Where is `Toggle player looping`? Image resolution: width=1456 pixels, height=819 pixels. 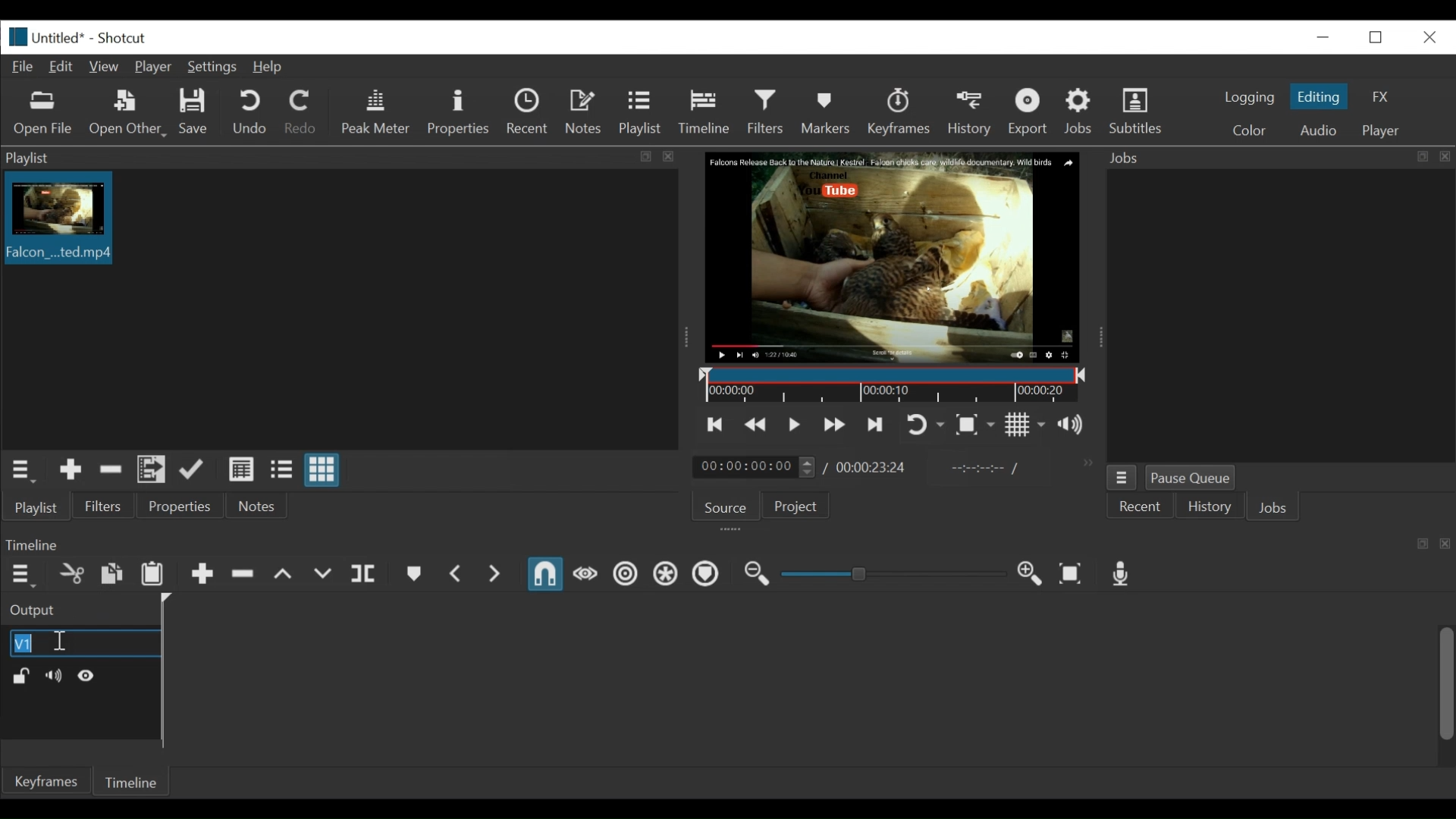 Toggle player looping is located at coordinates (879, 425).